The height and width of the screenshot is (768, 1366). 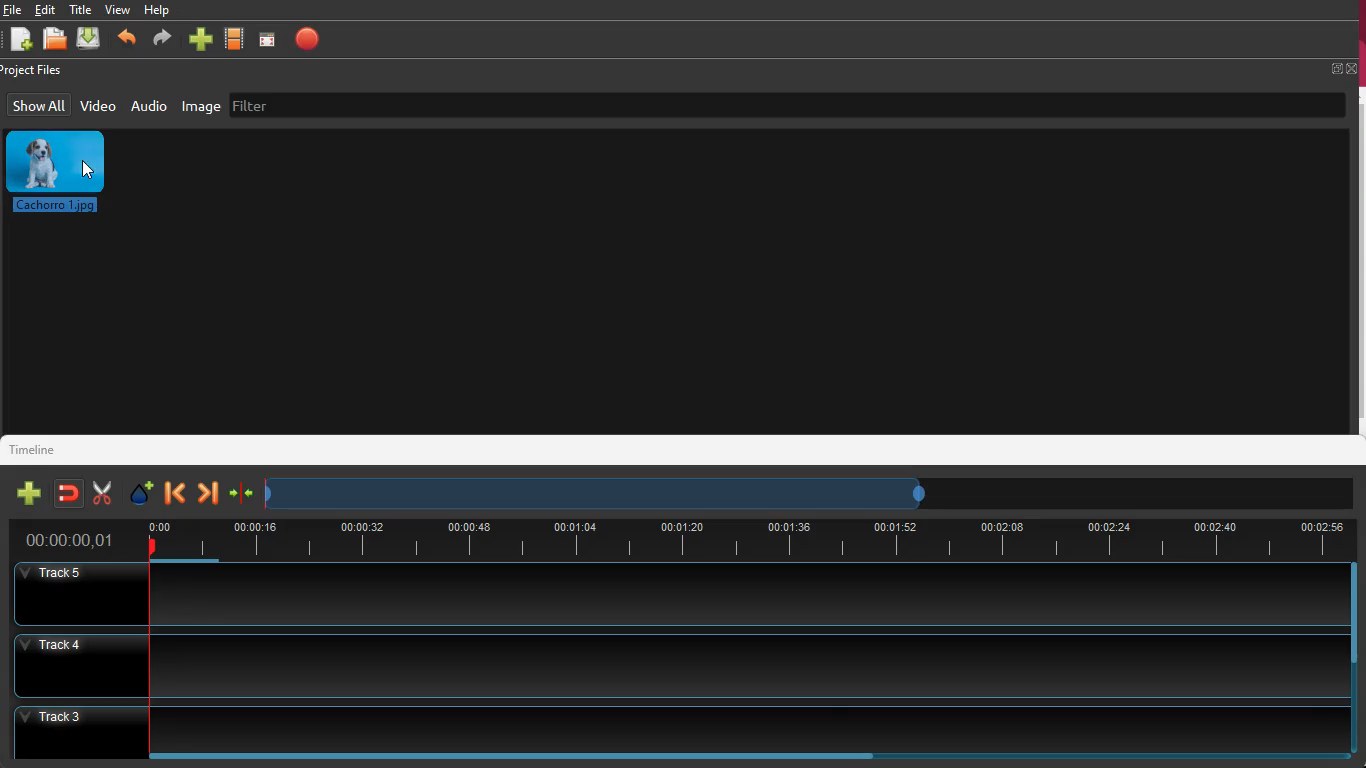 I want to click on forward, so click(x=161, y=39).